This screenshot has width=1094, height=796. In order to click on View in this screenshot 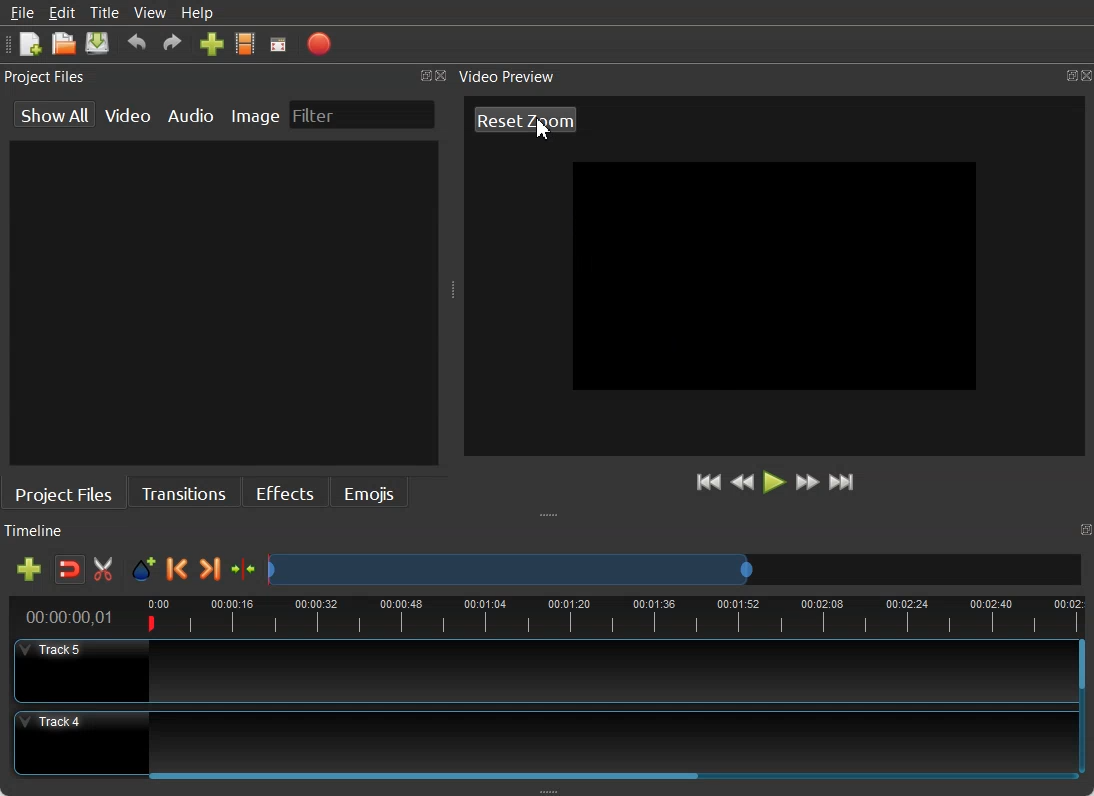, I will do `click(149, 12)`.